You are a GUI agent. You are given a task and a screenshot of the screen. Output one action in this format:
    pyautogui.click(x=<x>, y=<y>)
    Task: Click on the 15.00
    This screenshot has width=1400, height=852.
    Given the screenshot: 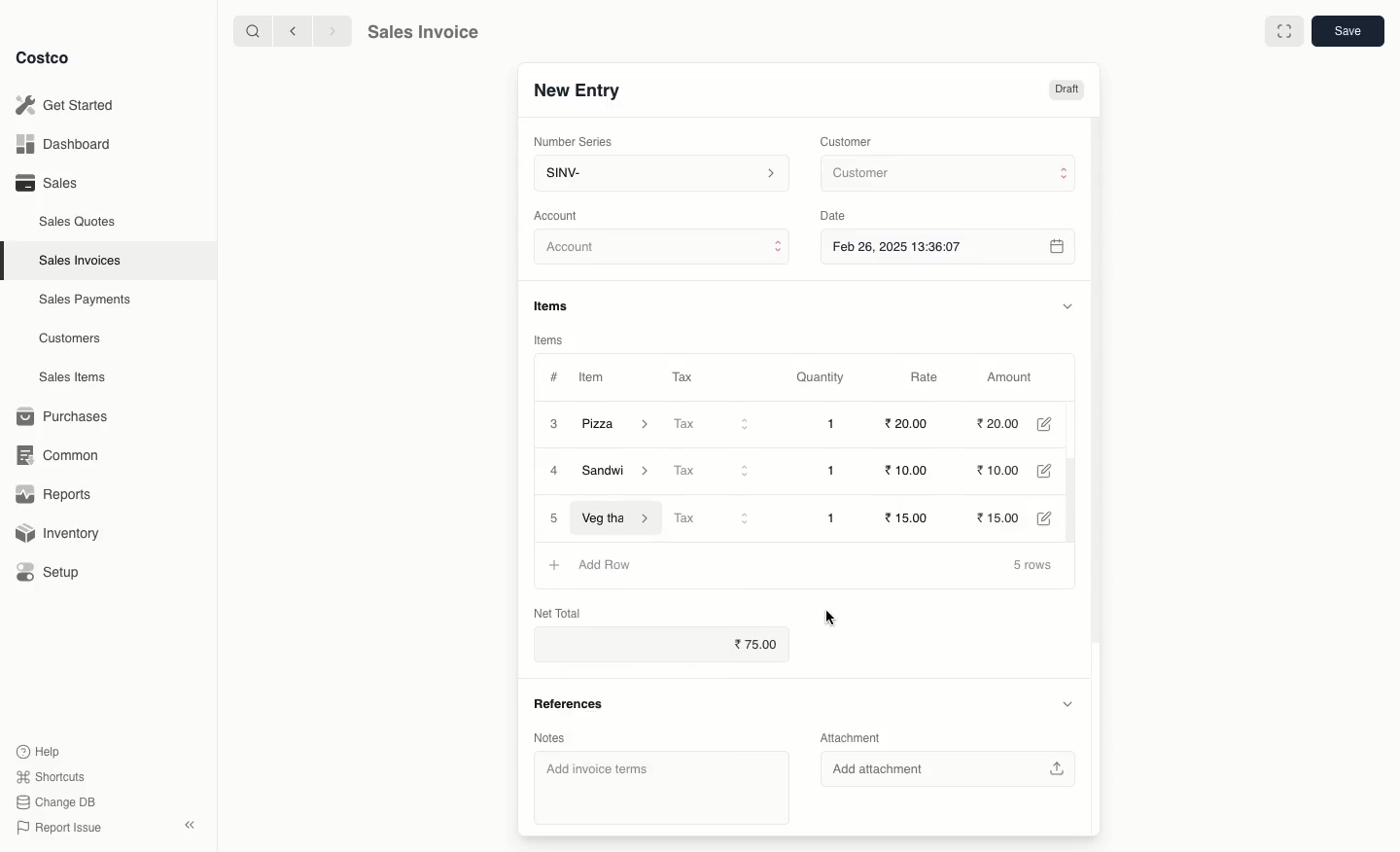 What is the action you would take?
    pyautogui.click(x=1008, y=515)
    